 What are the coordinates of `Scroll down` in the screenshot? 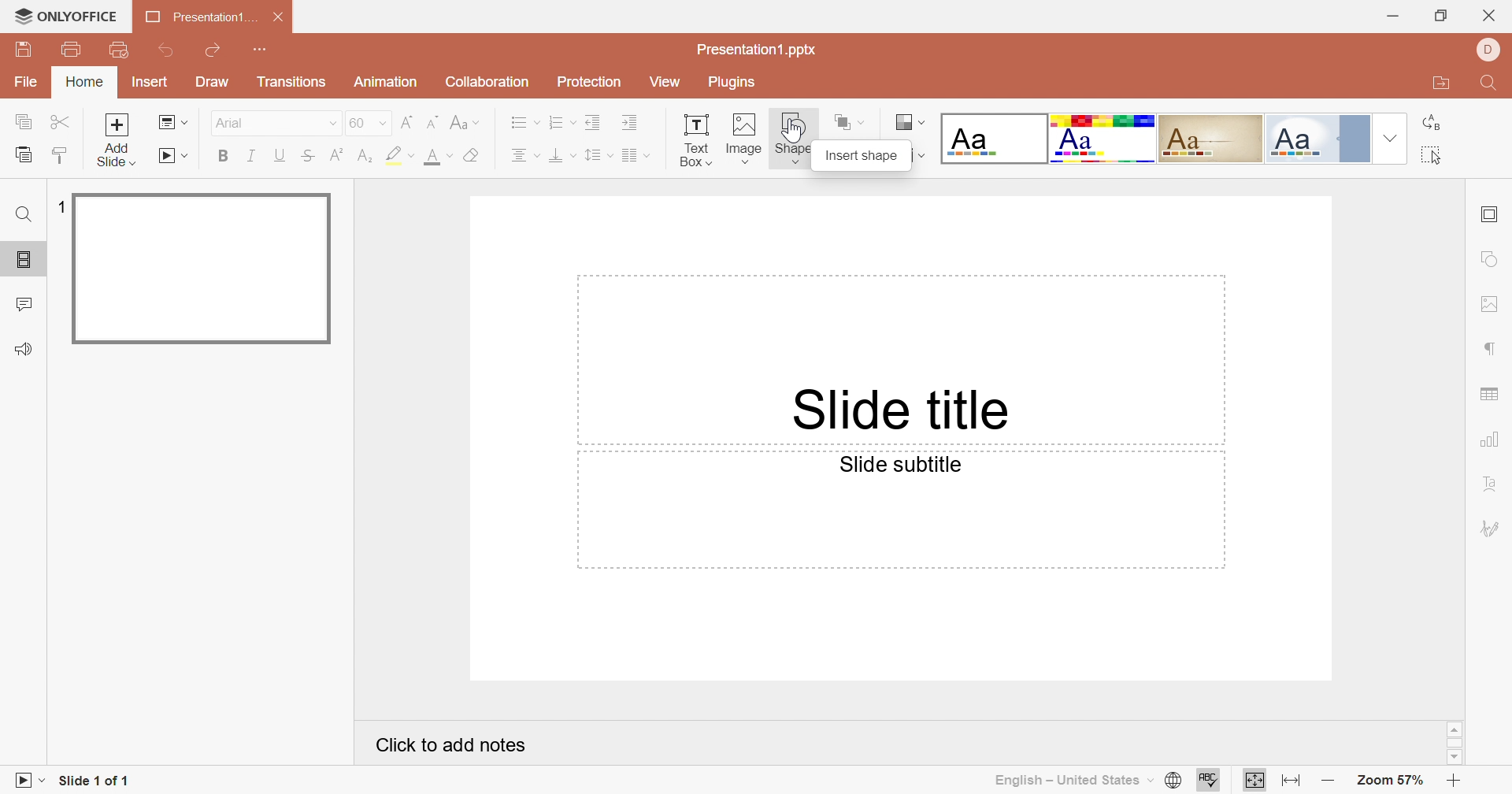 It's located at (1456, 759).